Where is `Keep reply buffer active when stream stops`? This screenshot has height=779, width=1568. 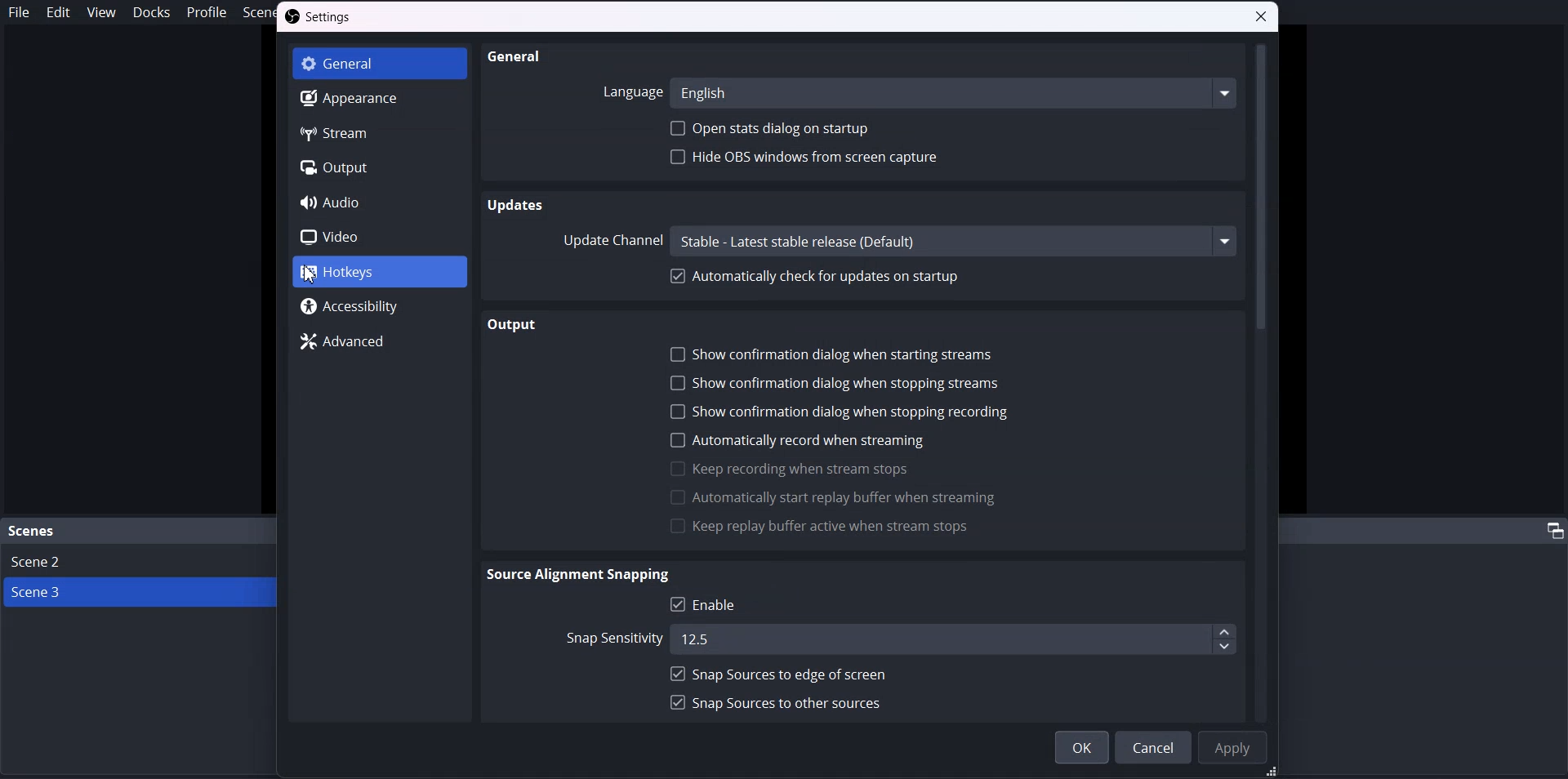
Keep reply buffer active when stream stops is located at coordinates (821, 525).